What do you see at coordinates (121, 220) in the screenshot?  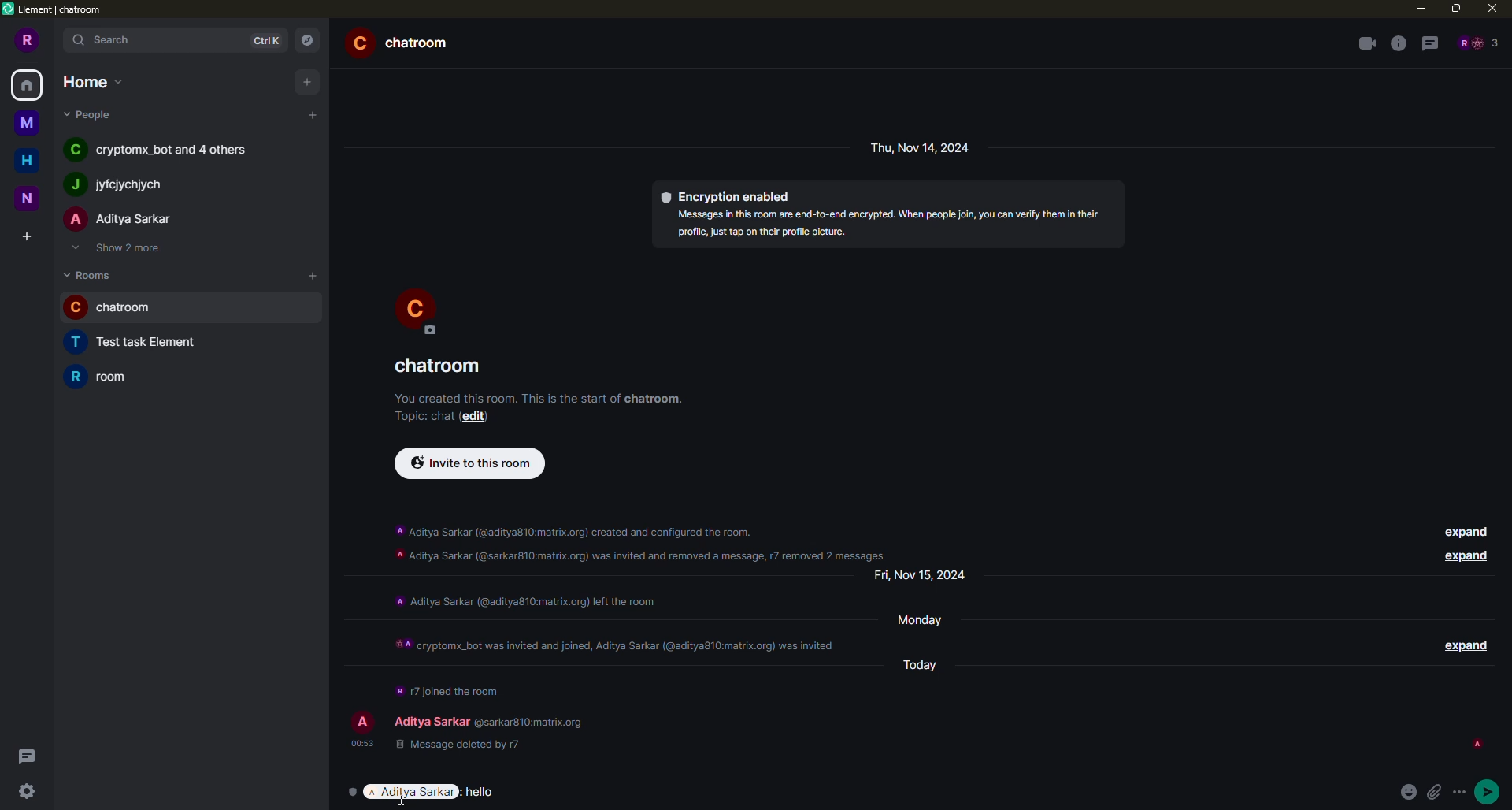 I see `people` at bounding box center [121, 220].